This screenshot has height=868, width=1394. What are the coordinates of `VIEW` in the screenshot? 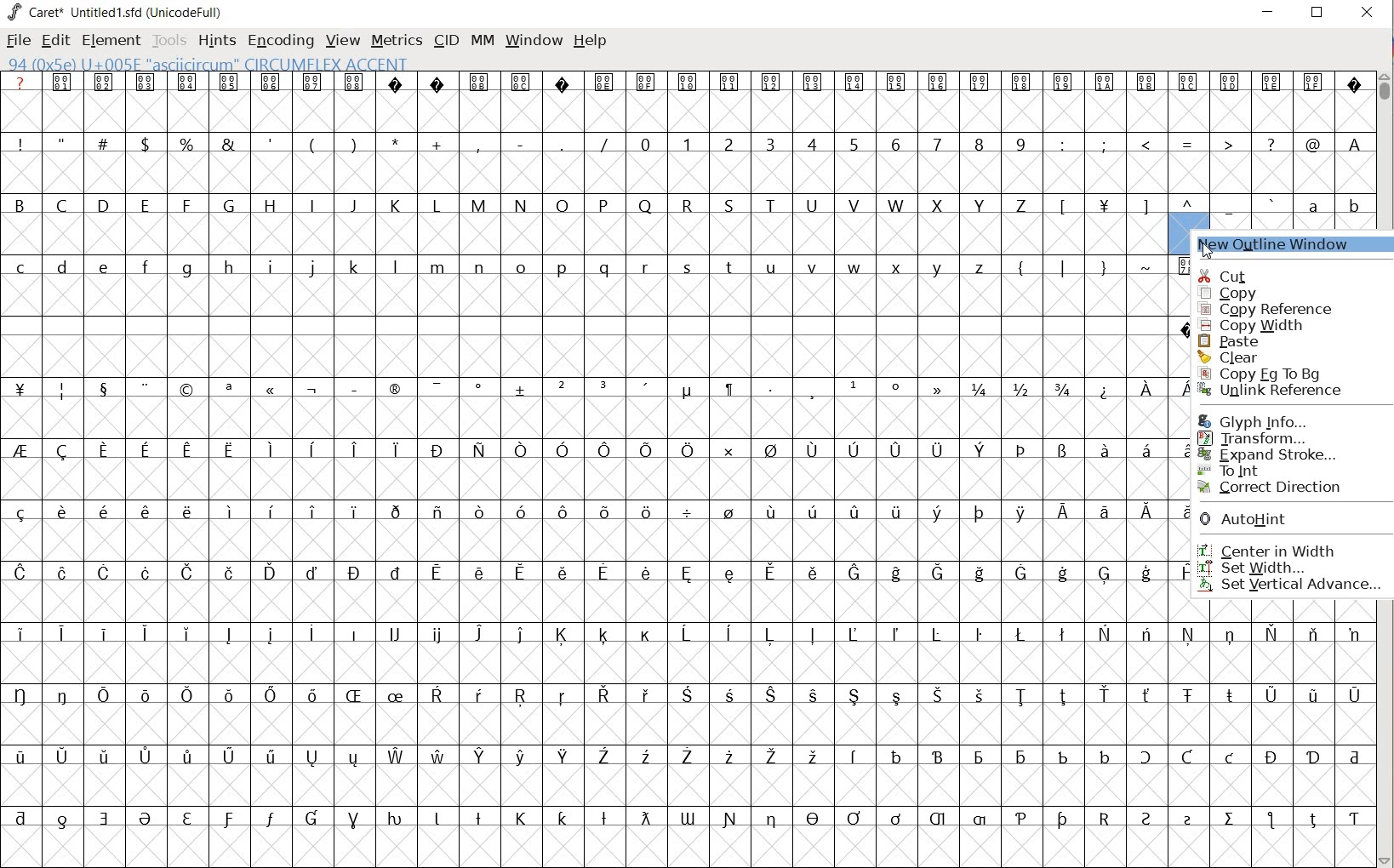 It's located at (342, 41).